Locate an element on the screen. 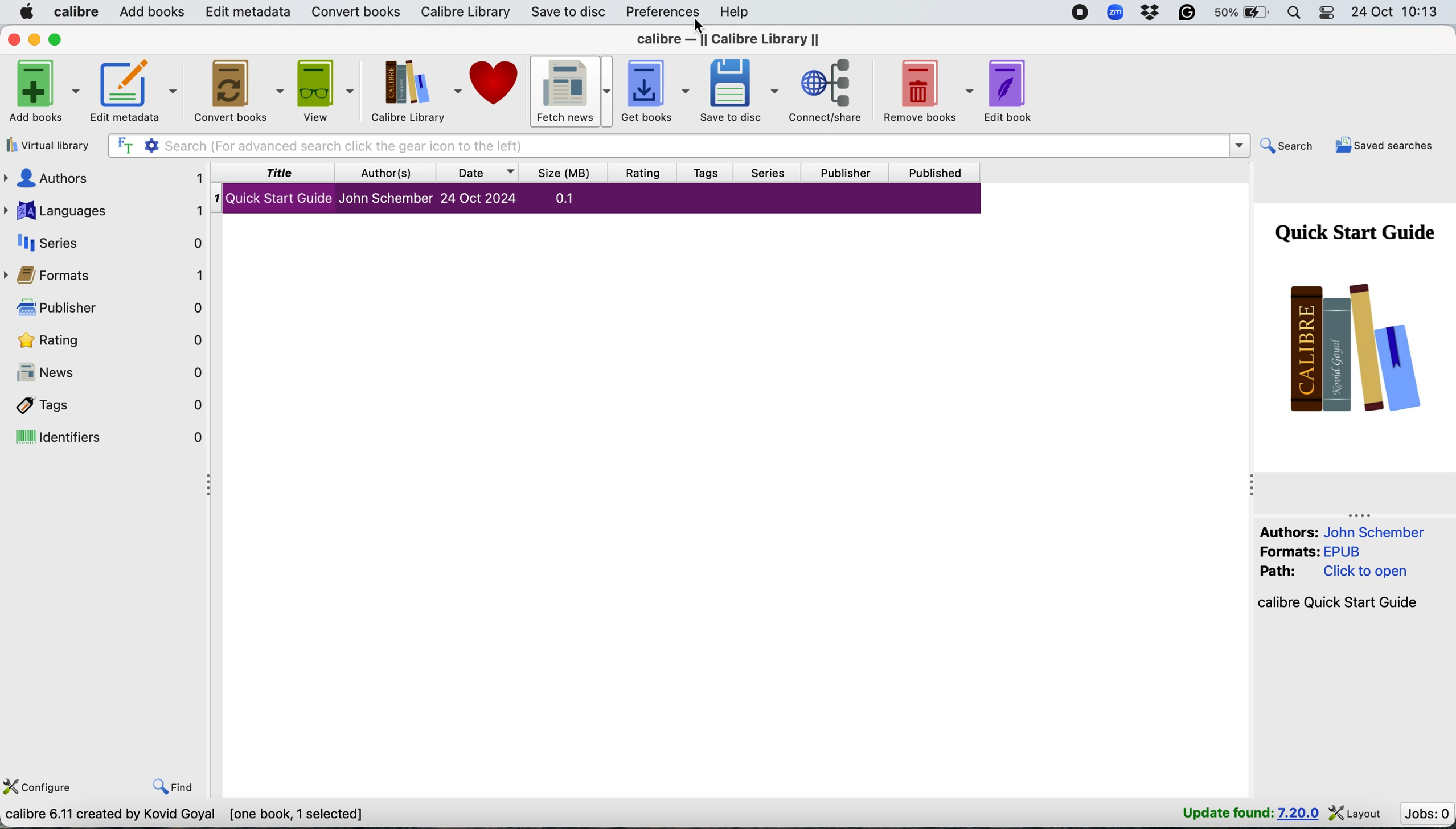  spotlight search is located at coordinates (1297, 14).